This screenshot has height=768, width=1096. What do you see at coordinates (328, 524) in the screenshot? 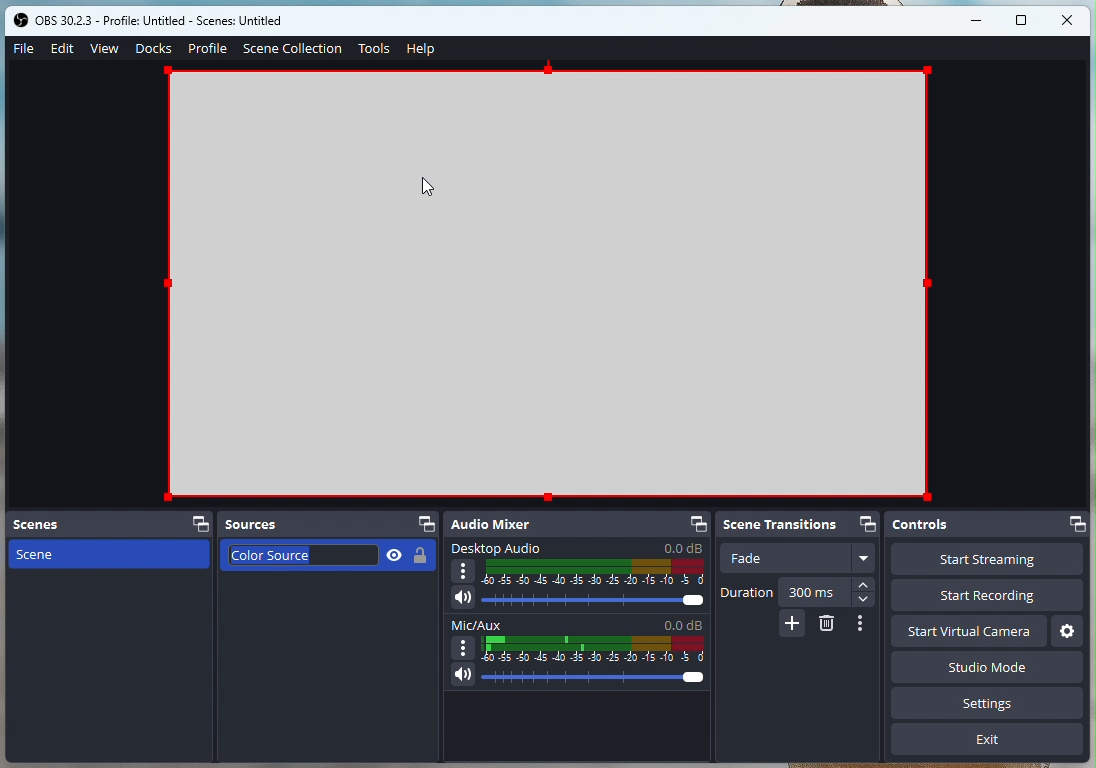
I see `Sources` at bounding box center [328, 524].